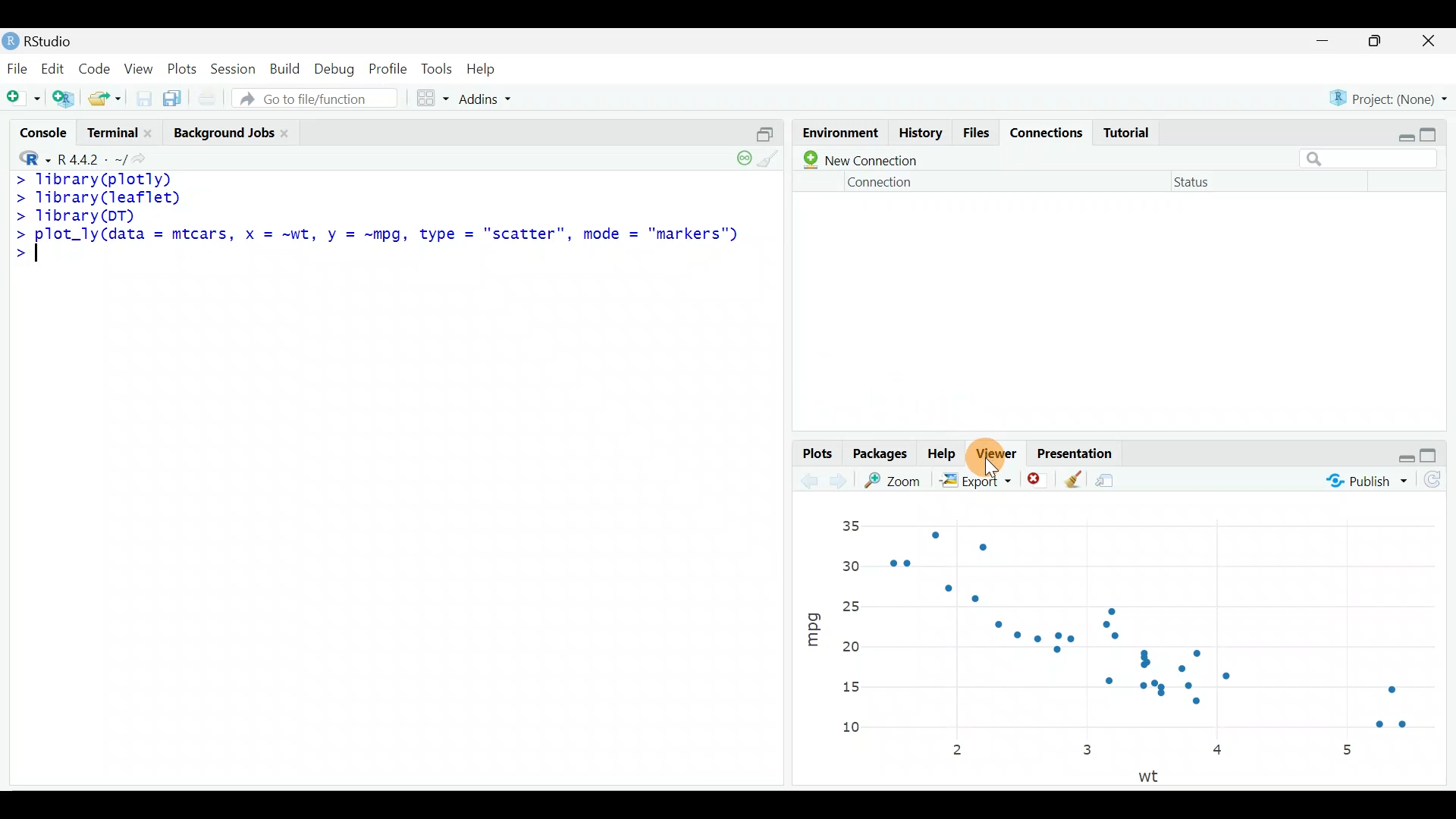  I want to click on Search bar, so click(1370, 159).